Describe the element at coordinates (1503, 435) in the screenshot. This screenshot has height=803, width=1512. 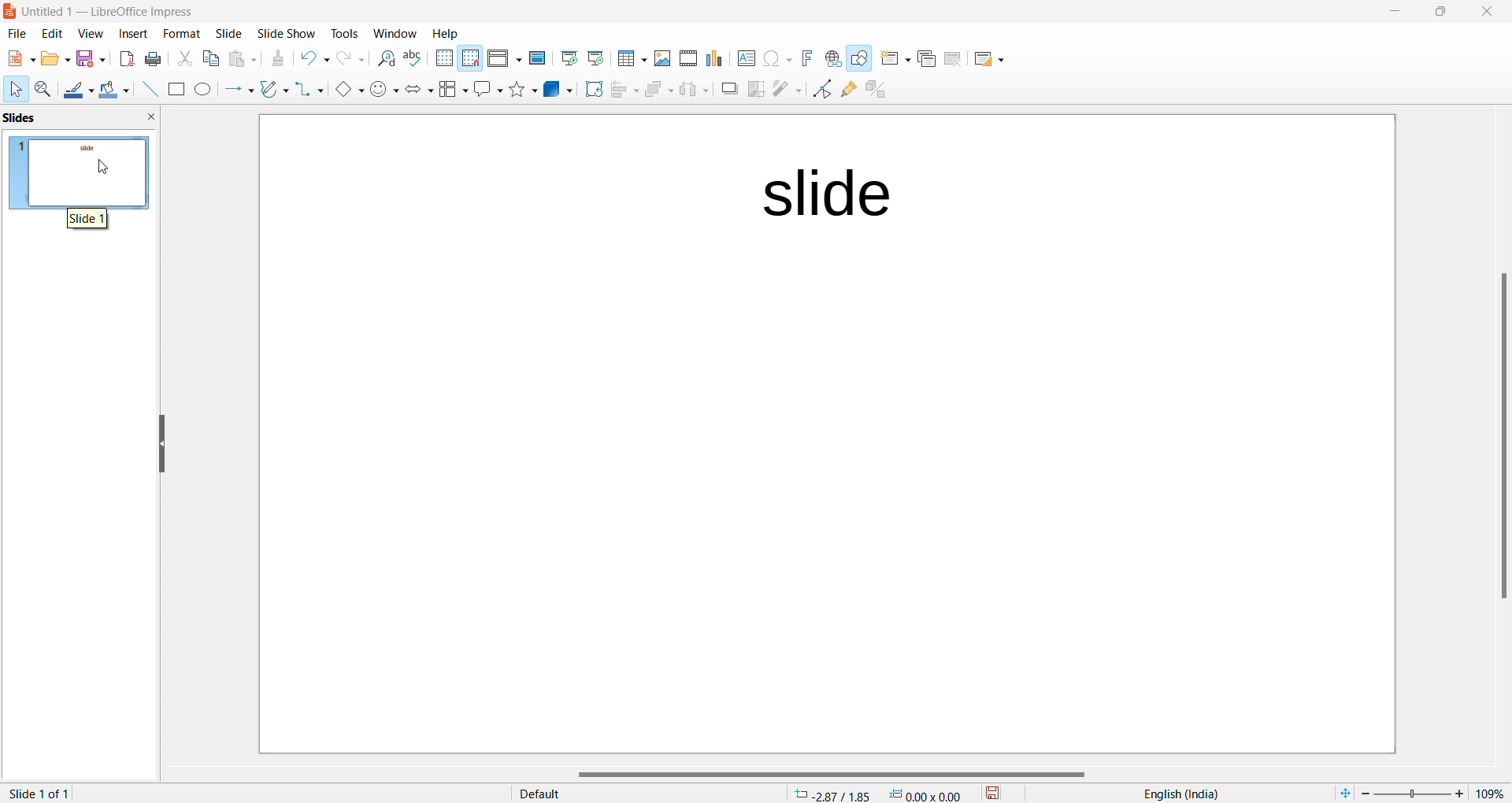
I see `scrollbar` at that location.